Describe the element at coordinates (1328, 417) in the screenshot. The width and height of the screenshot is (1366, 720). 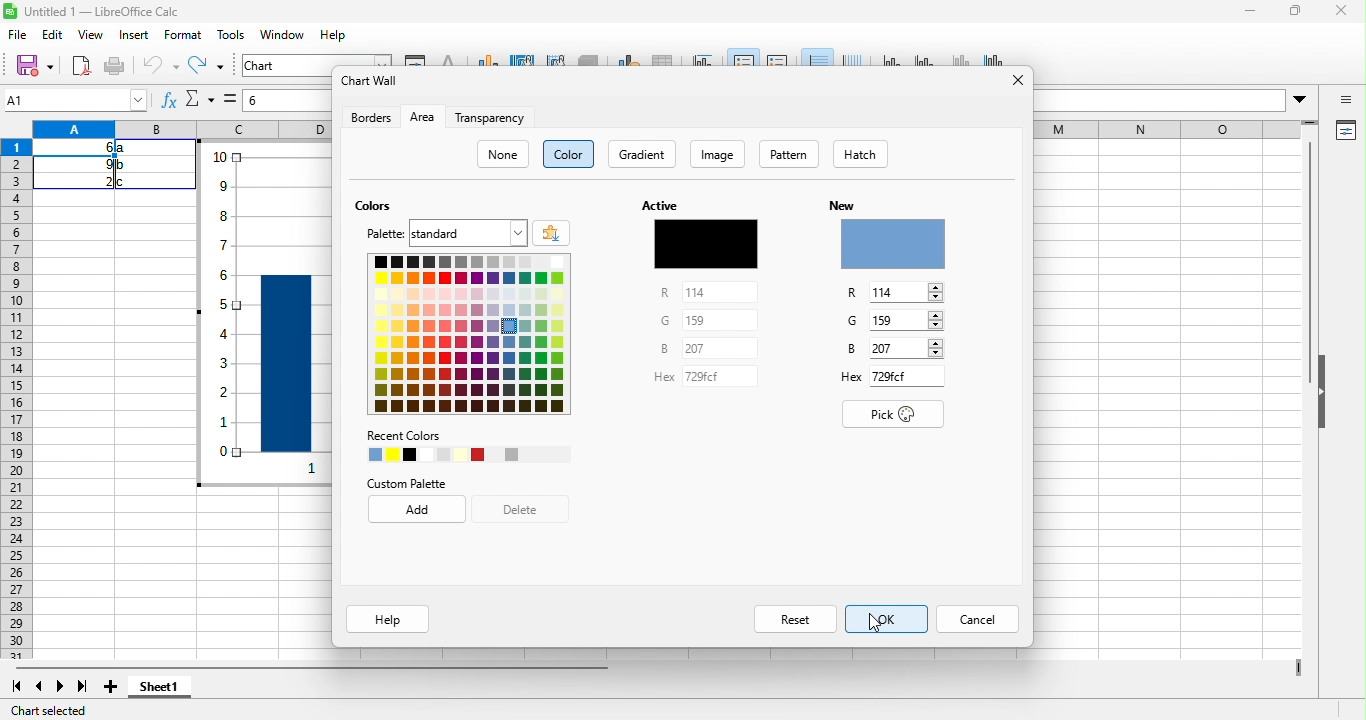
I see `hide` at that location.